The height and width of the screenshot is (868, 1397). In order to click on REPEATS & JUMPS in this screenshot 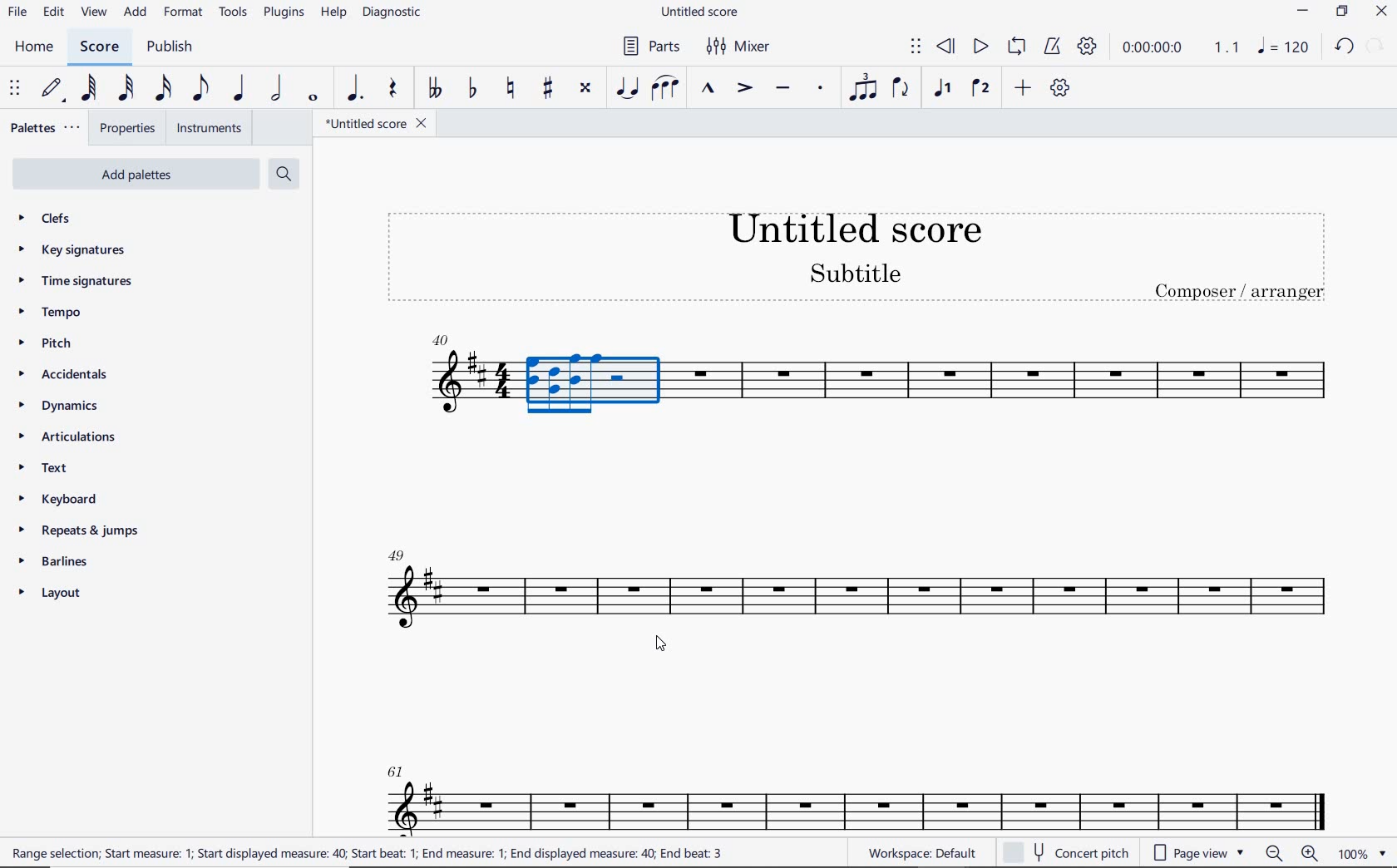, I will do `click(79, 533)`.